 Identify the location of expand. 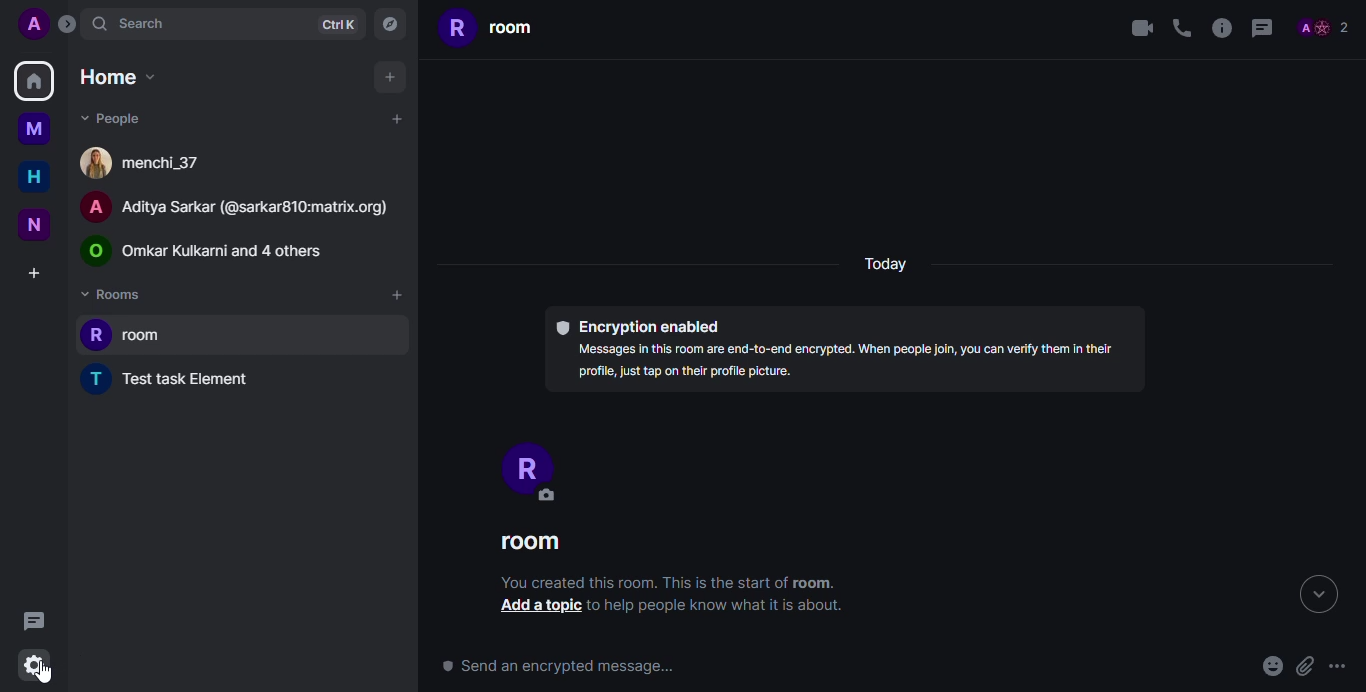
(1318, 597).